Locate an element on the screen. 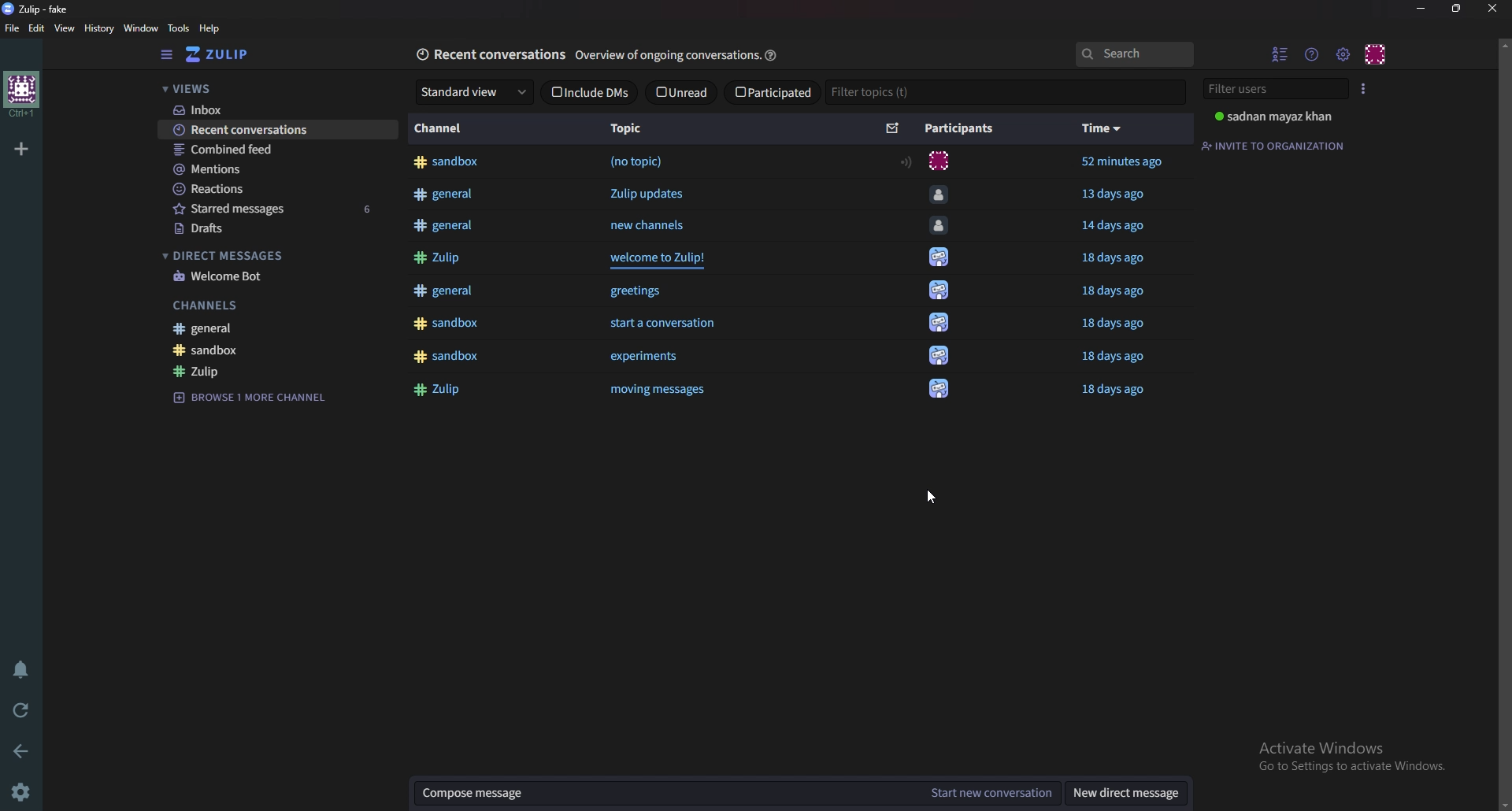 The height and width of the screenshot is (811, 1512). Participated is located at coordinates (771, 92).